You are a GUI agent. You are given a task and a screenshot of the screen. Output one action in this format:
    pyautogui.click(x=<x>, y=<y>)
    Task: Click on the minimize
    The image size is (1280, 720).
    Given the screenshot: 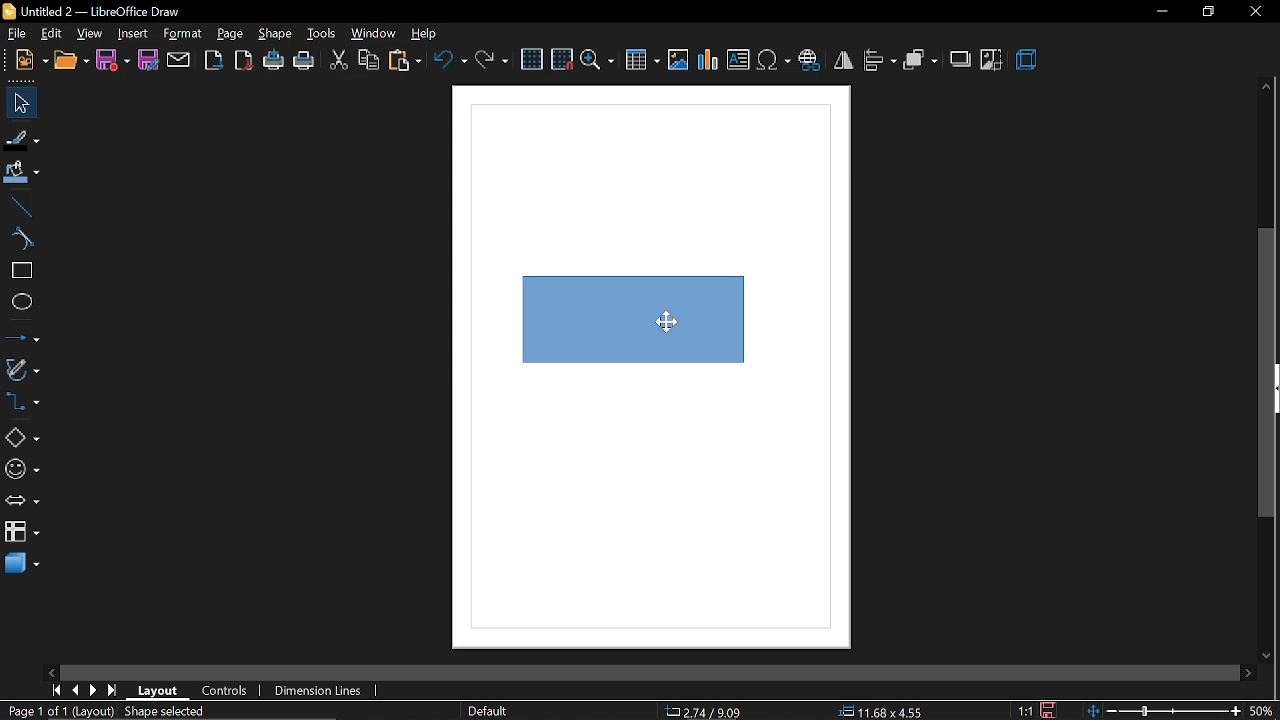 What is the action you would take?
    pyautogui.click(x=1160, y=12)
    